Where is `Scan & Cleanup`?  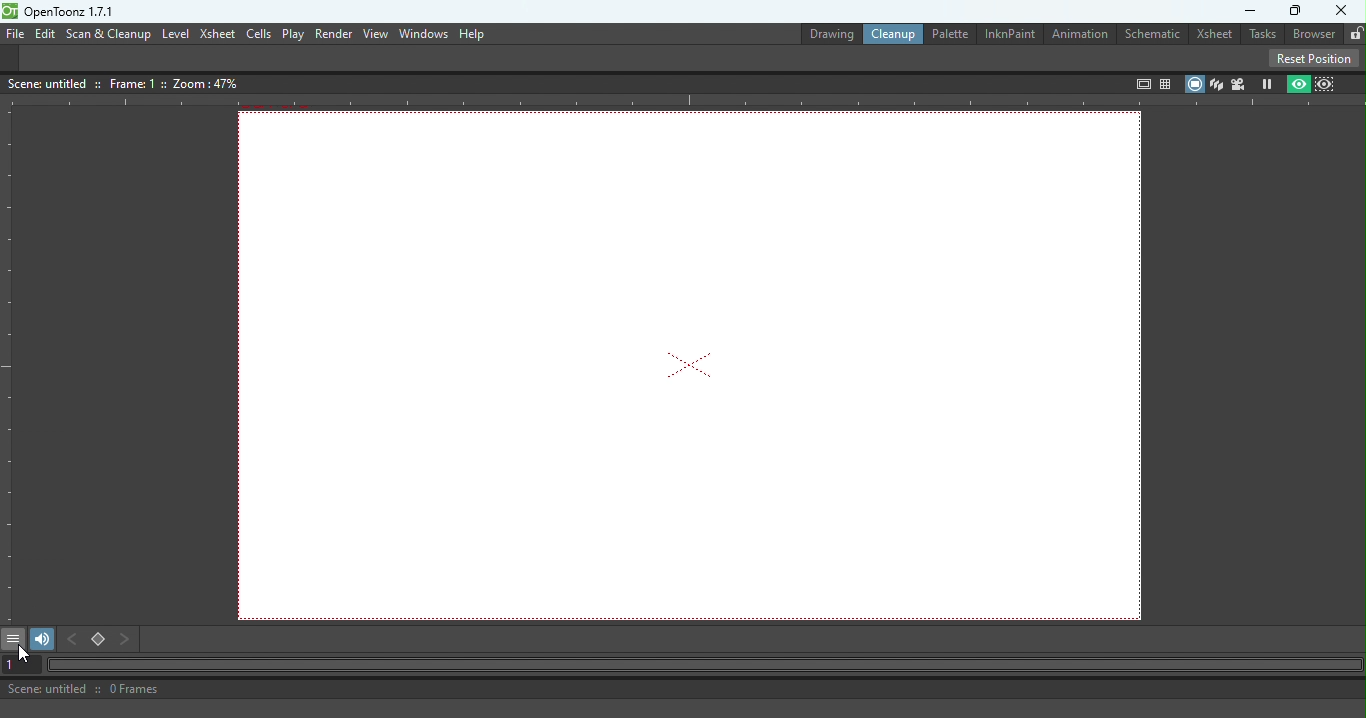
Scan & Cleanup is located at coordinates (109, 35).